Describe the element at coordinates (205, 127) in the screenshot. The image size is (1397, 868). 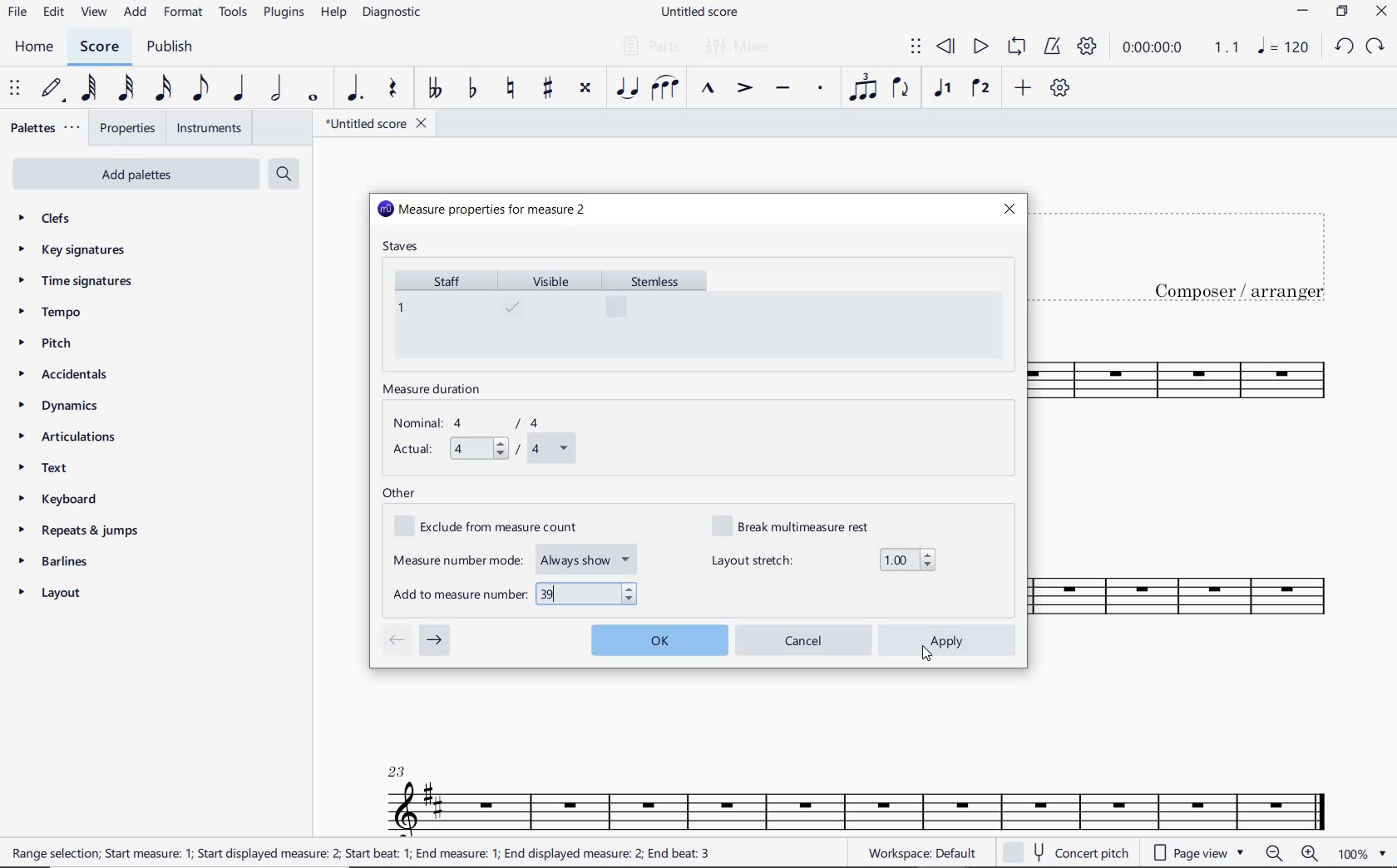
I see `INSTRUMENTS` at that location.